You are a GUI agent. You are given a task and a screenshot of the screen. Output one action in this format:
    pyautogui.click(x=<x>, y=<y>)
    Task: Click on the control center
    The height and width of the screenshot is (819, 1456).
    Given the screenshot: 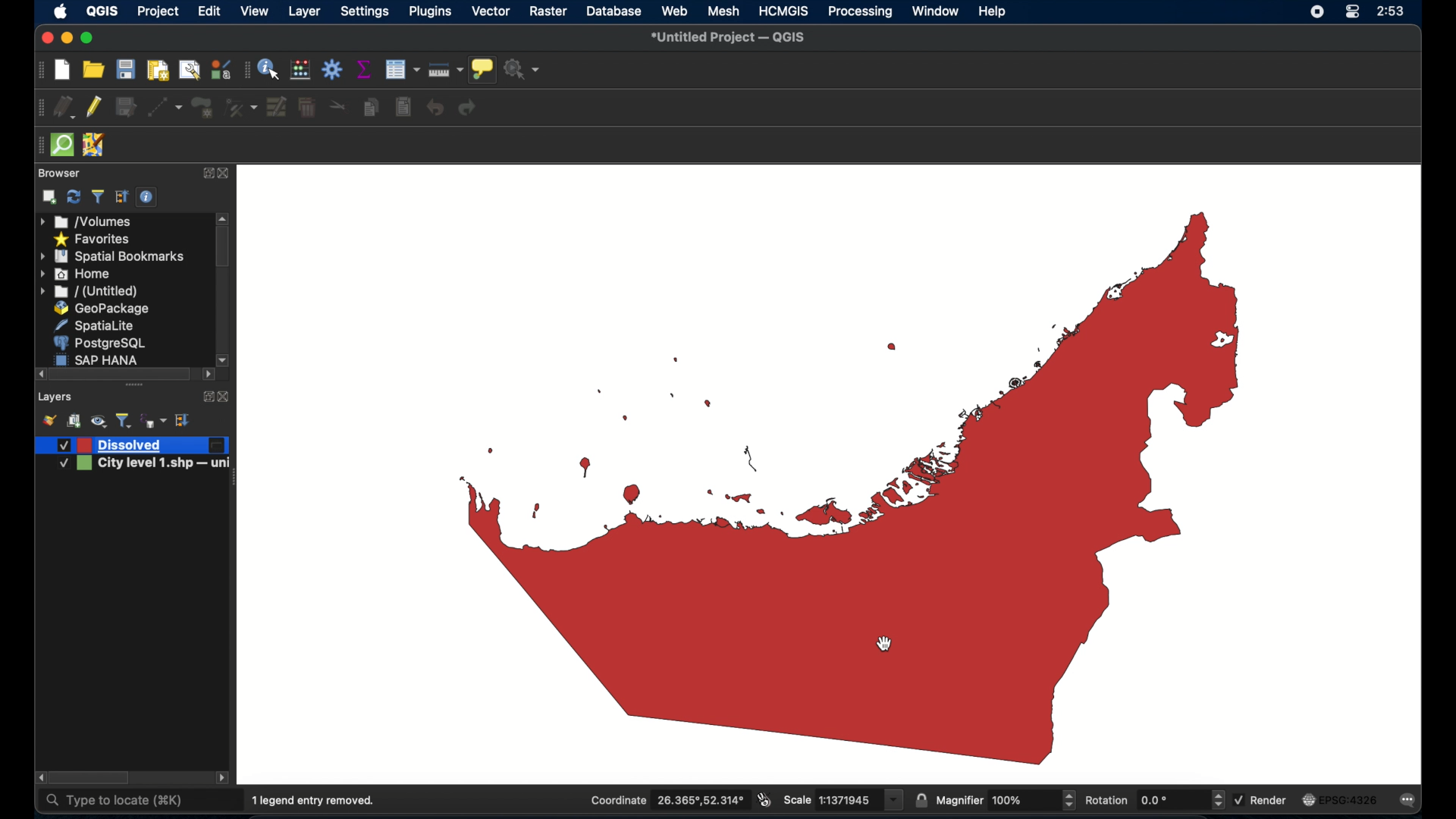 What is the action you would take?
    pyautogui.click(x=1351, y=12)
    